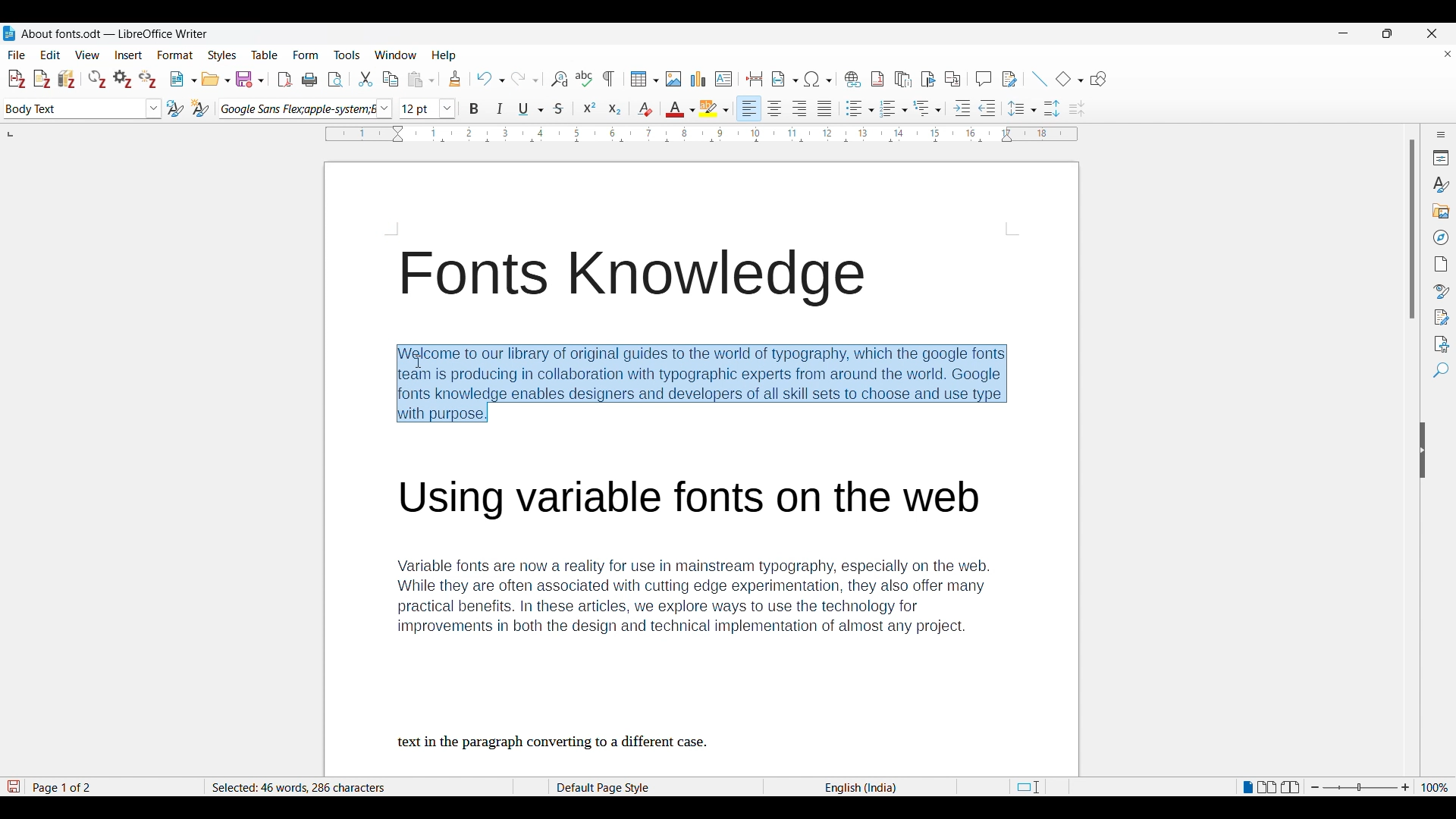  Describe the element at coordinates (149, 78) in the screenshot. I see `Unlink citations` at that location.